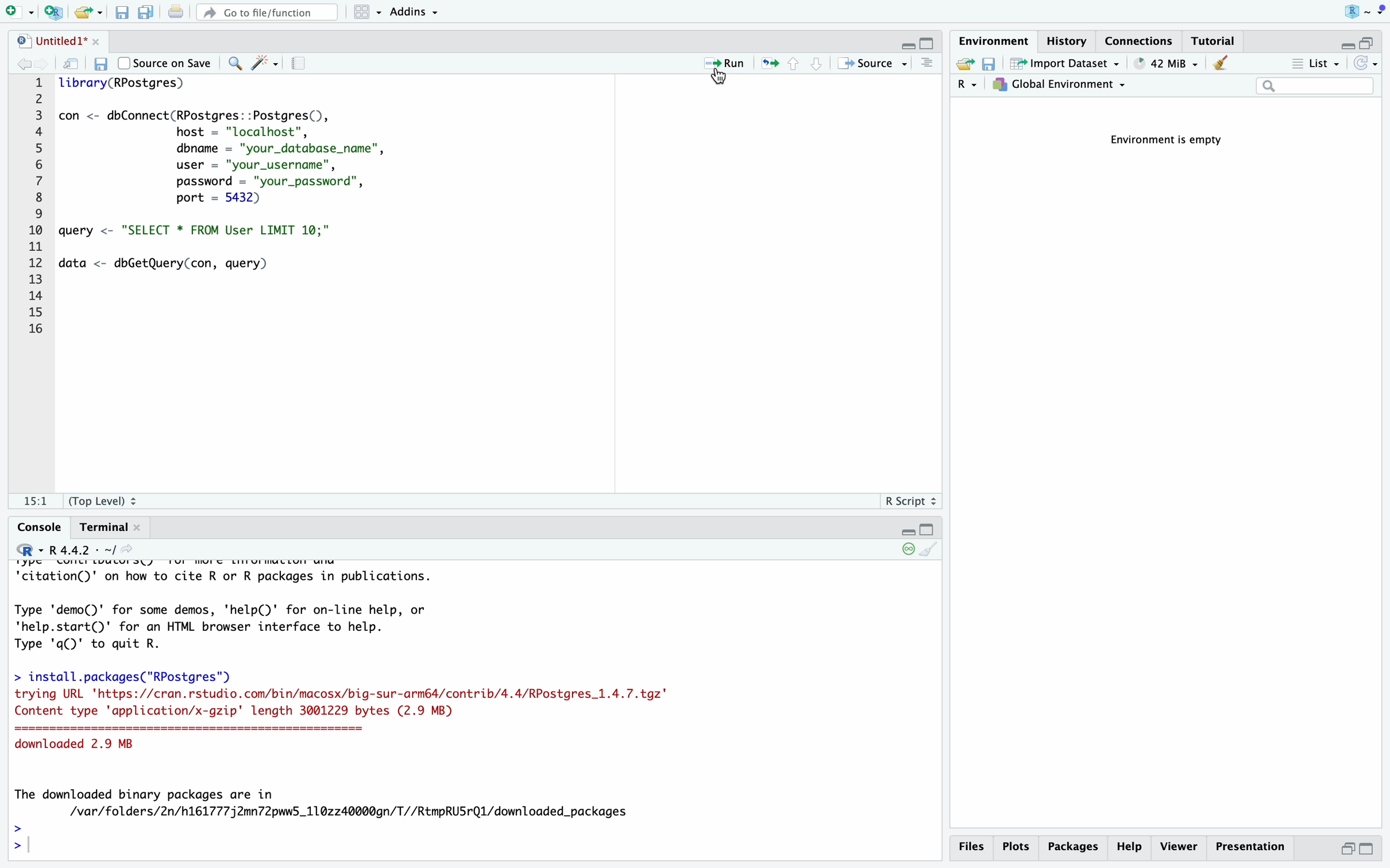  I want to click on compile report, so click(304, 64).